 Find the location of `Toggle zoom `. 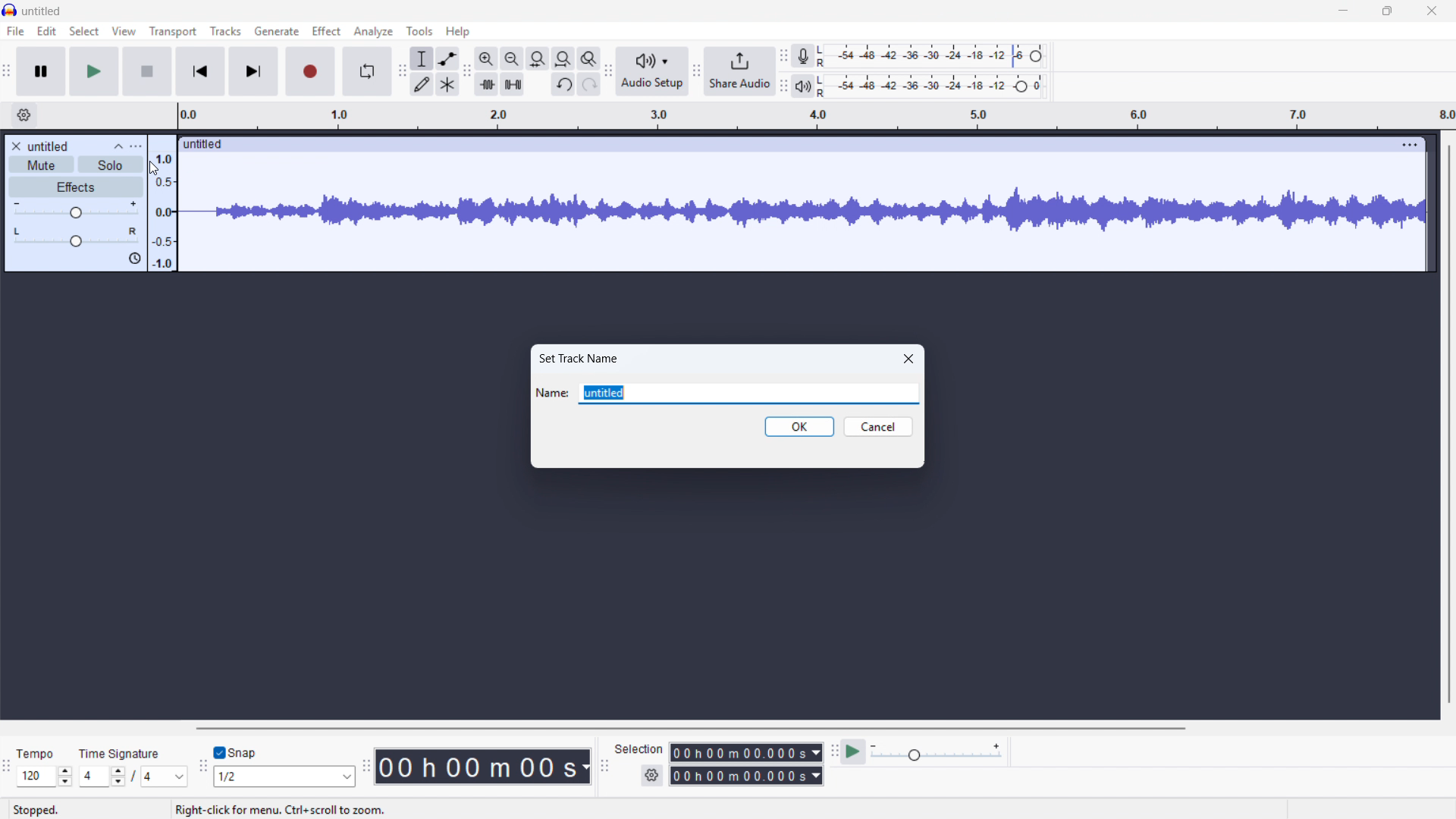

Toggle zoom  is located at coordinates (588, 58).